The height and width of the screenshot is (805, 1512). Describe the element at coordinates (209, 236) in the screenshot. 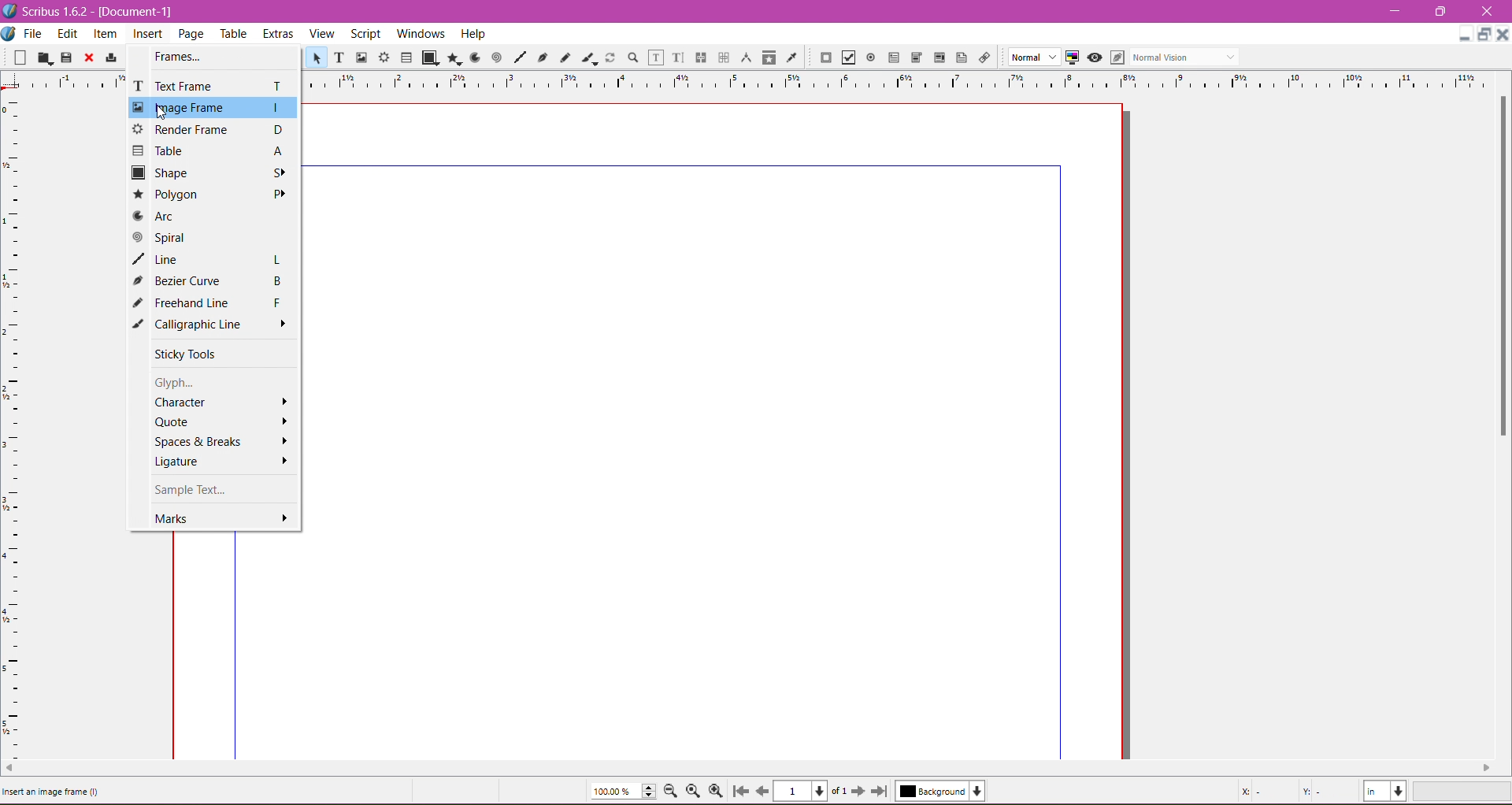

I see `Spiral` at that location.